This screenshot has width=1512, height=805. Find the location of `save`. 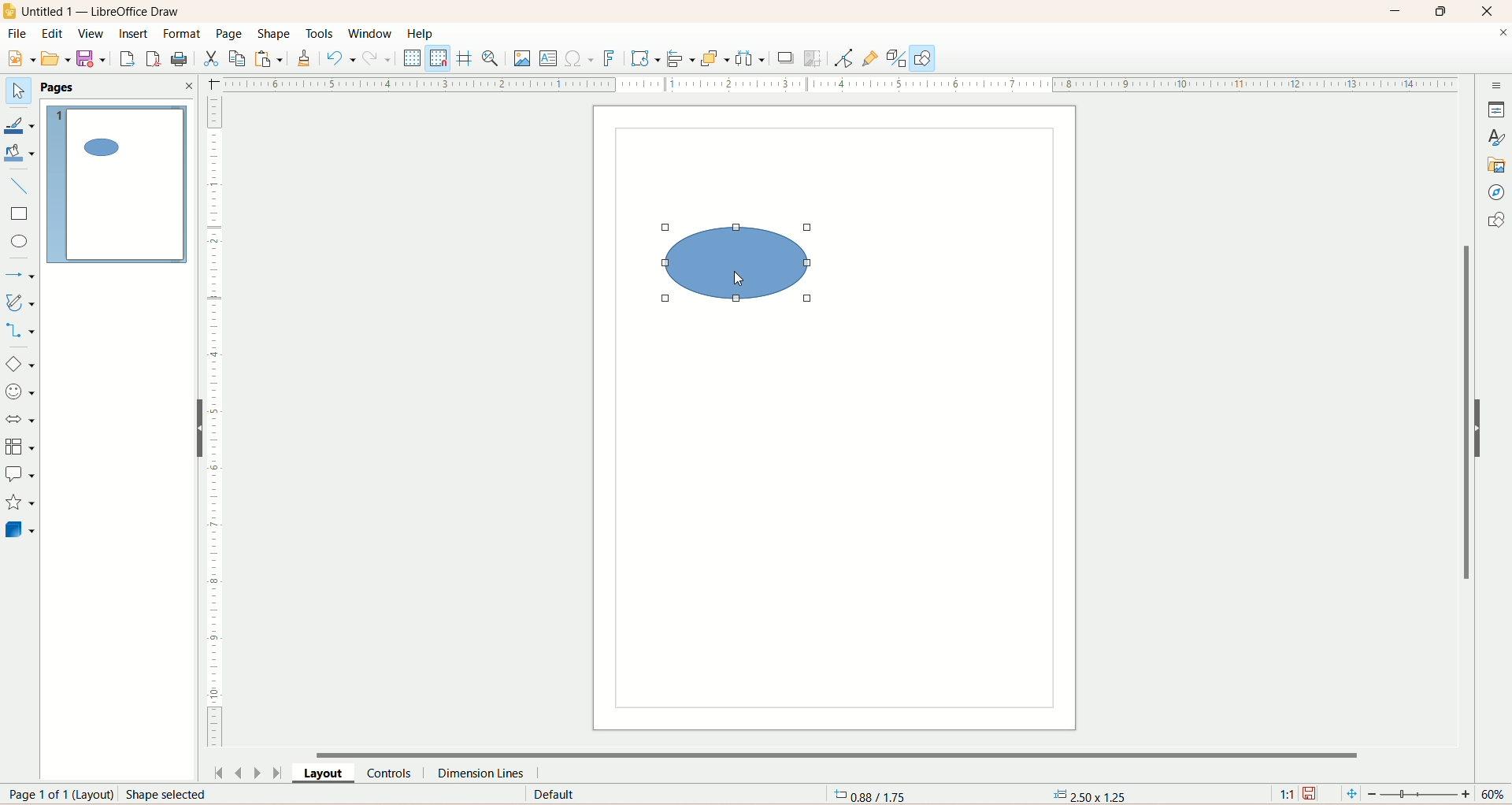

save is located at coordinates (1312, 793).